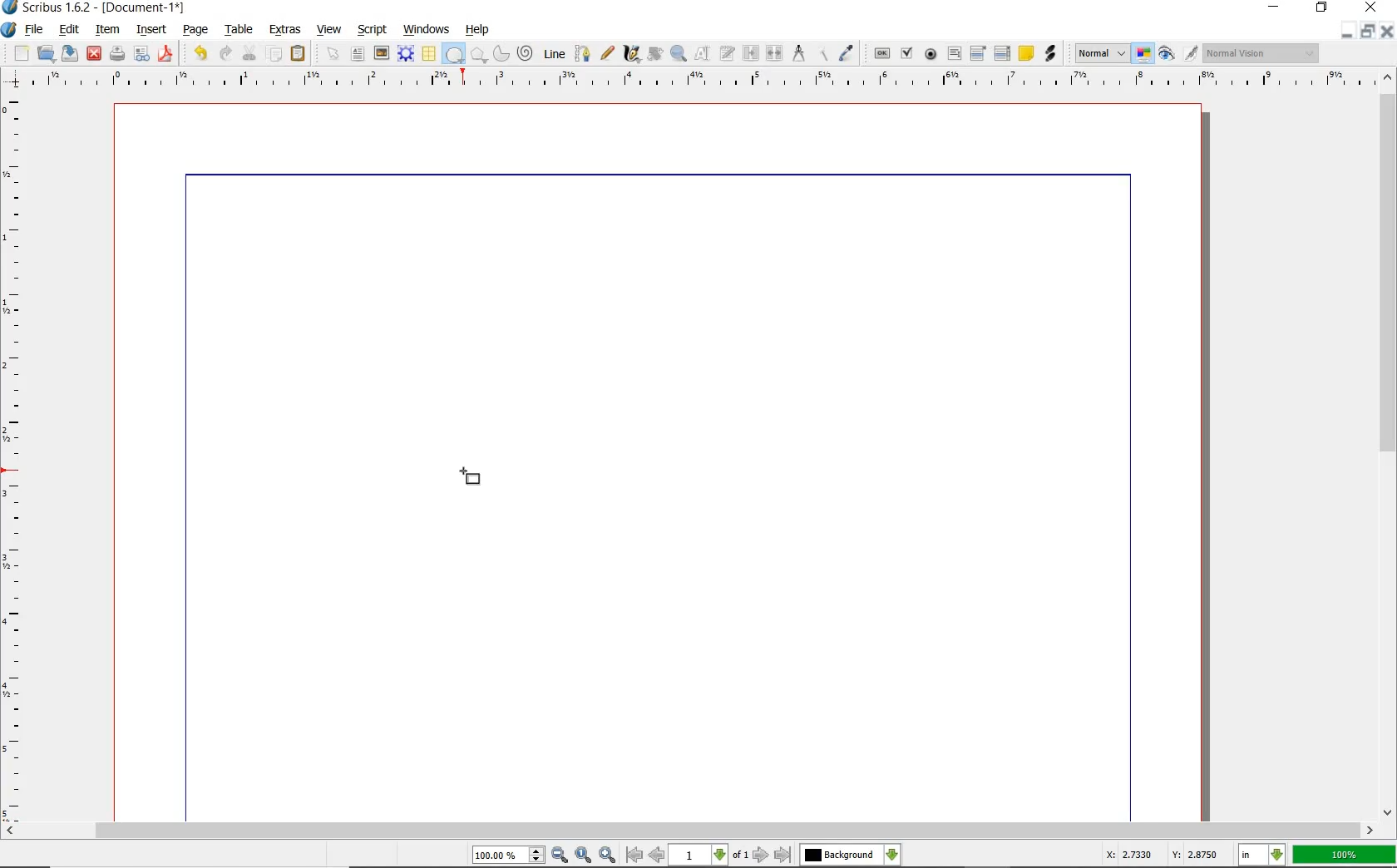 The image size is (1397, 868). Describe the element at coordinates (193, 31) in the screenshot. I see `PAGE` at that location.